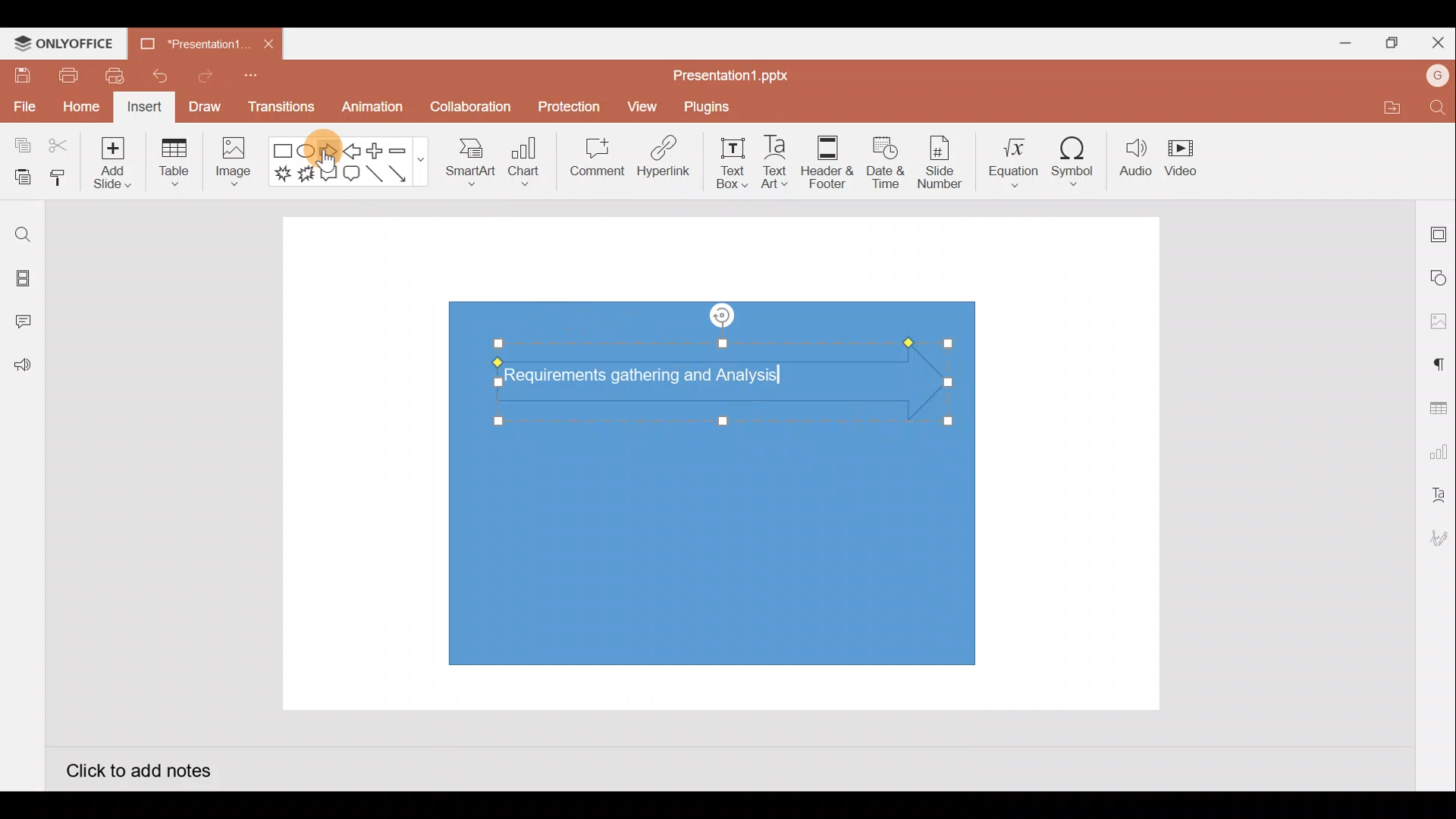 This screenshot has width=1456, height=819. Describe the element at coordinates (406, 174) in the screenshot. I see `Arrow` at that location.